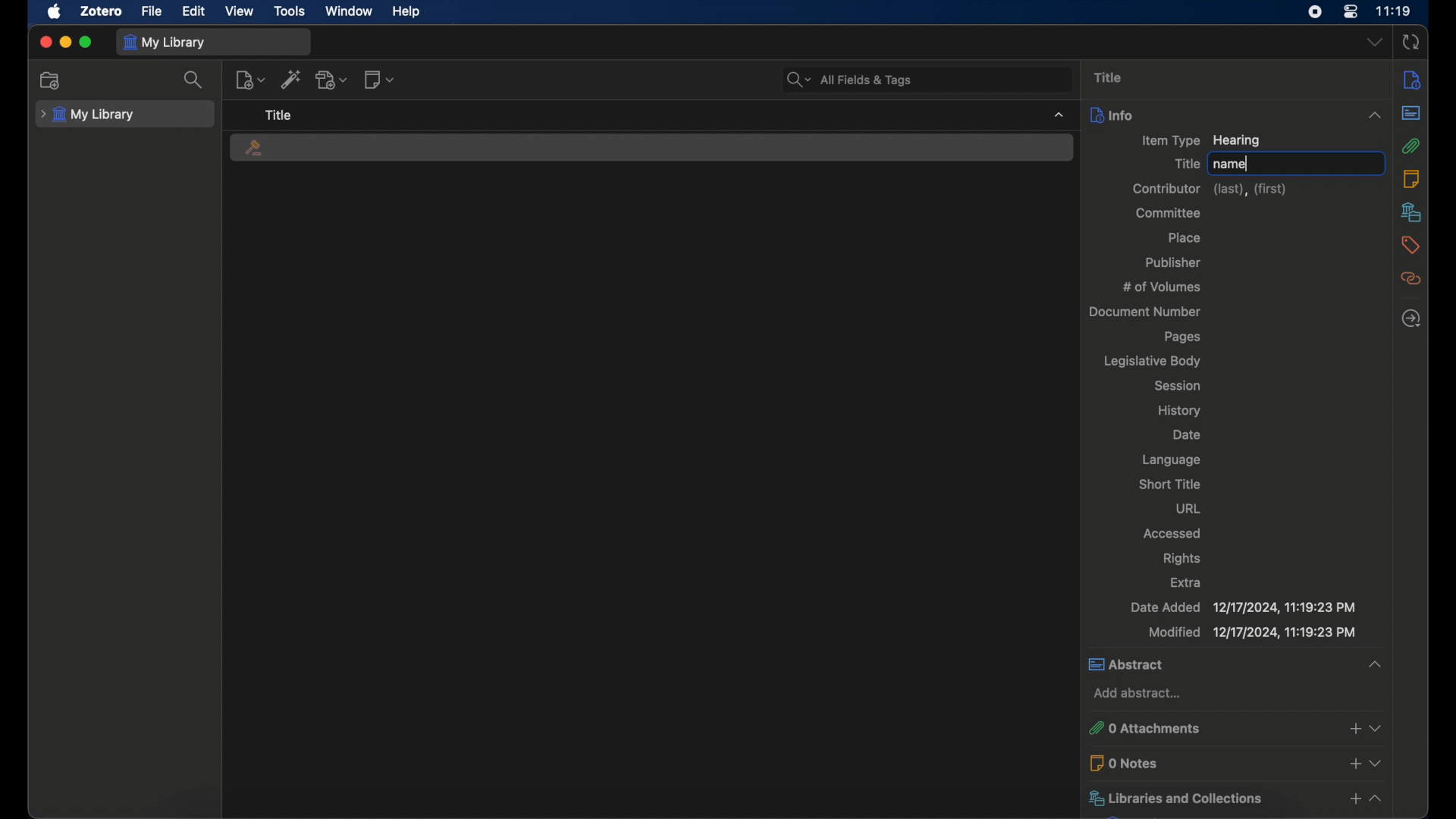 This screenshot has height=819, width=1456. Describe the element at coordinates (1410, 179) in the screenshot. I see `notes` at that location.